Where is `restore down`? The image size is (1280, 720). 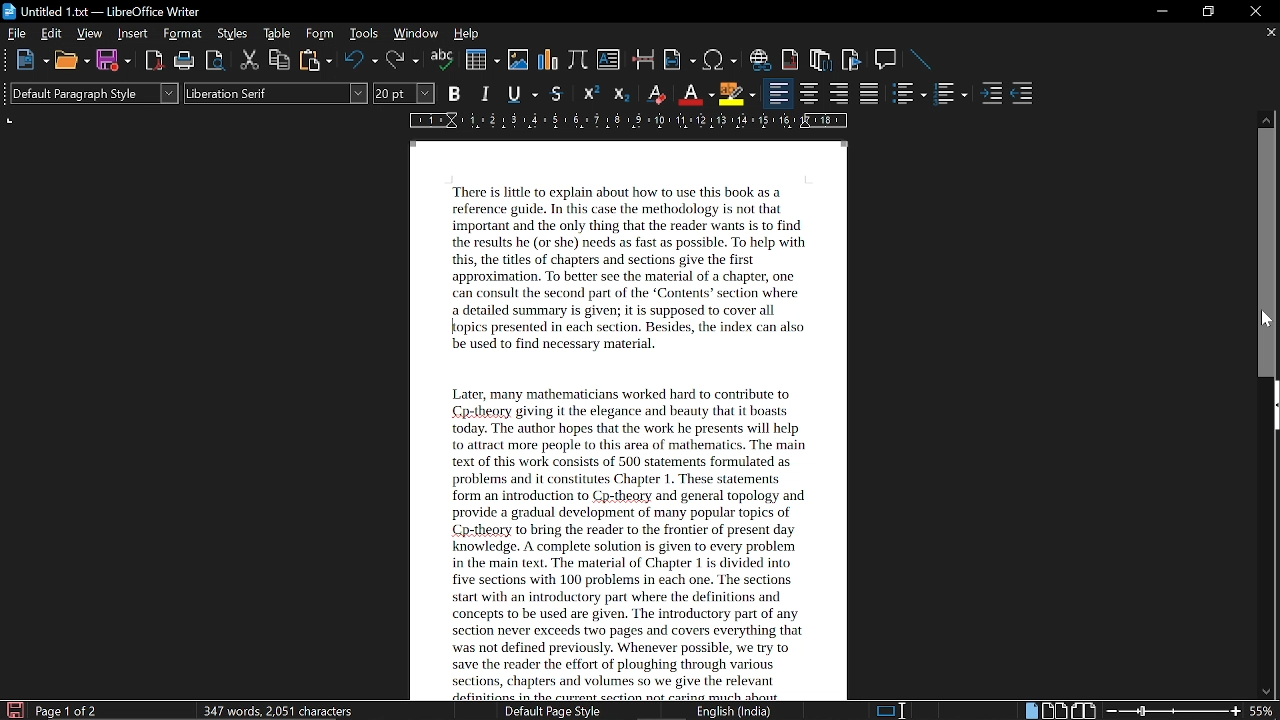 restore down is located at coordinates (1206, 12).